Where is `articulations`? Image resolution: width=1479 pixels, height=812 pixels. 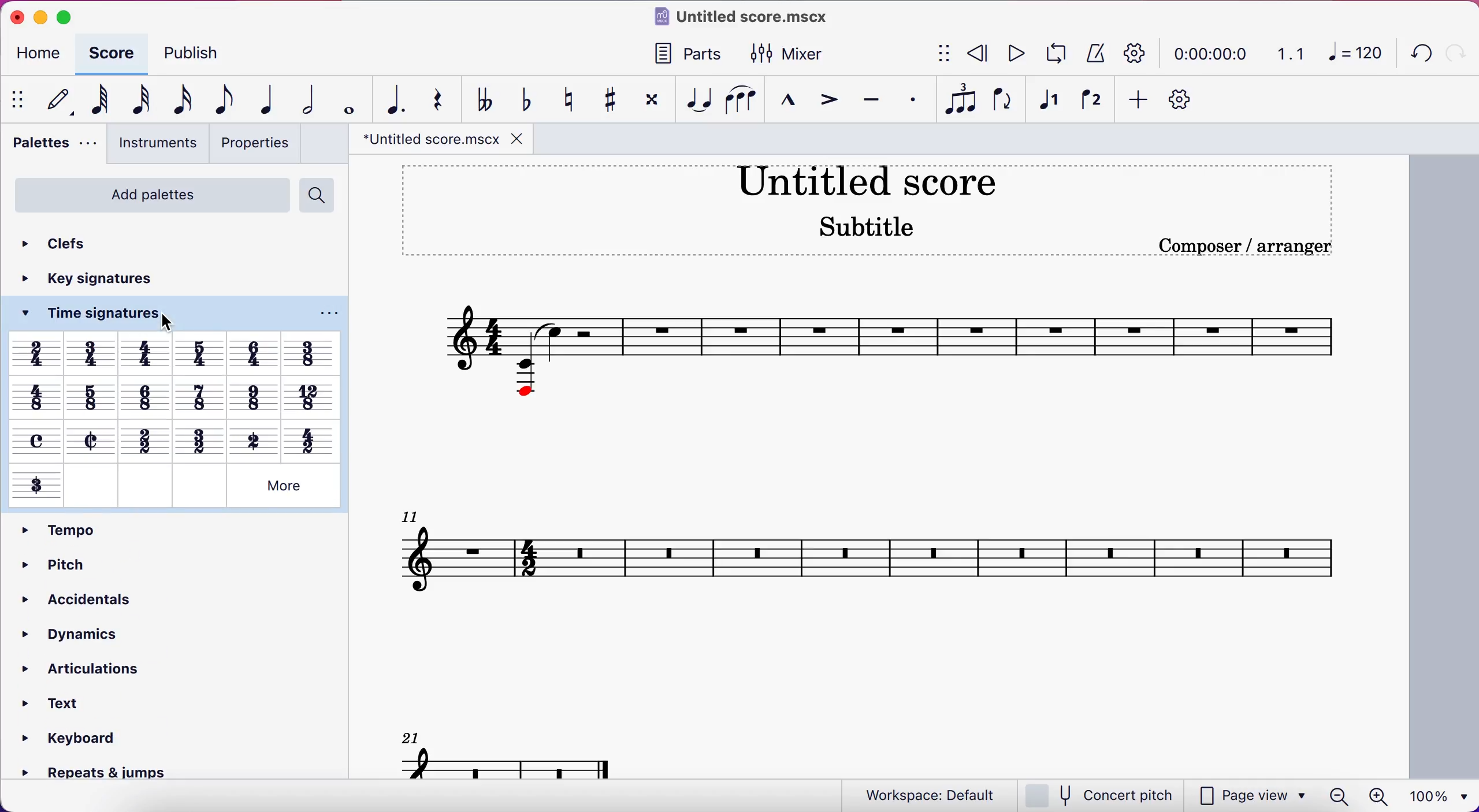 articulations is located at coordinates (82, 670).